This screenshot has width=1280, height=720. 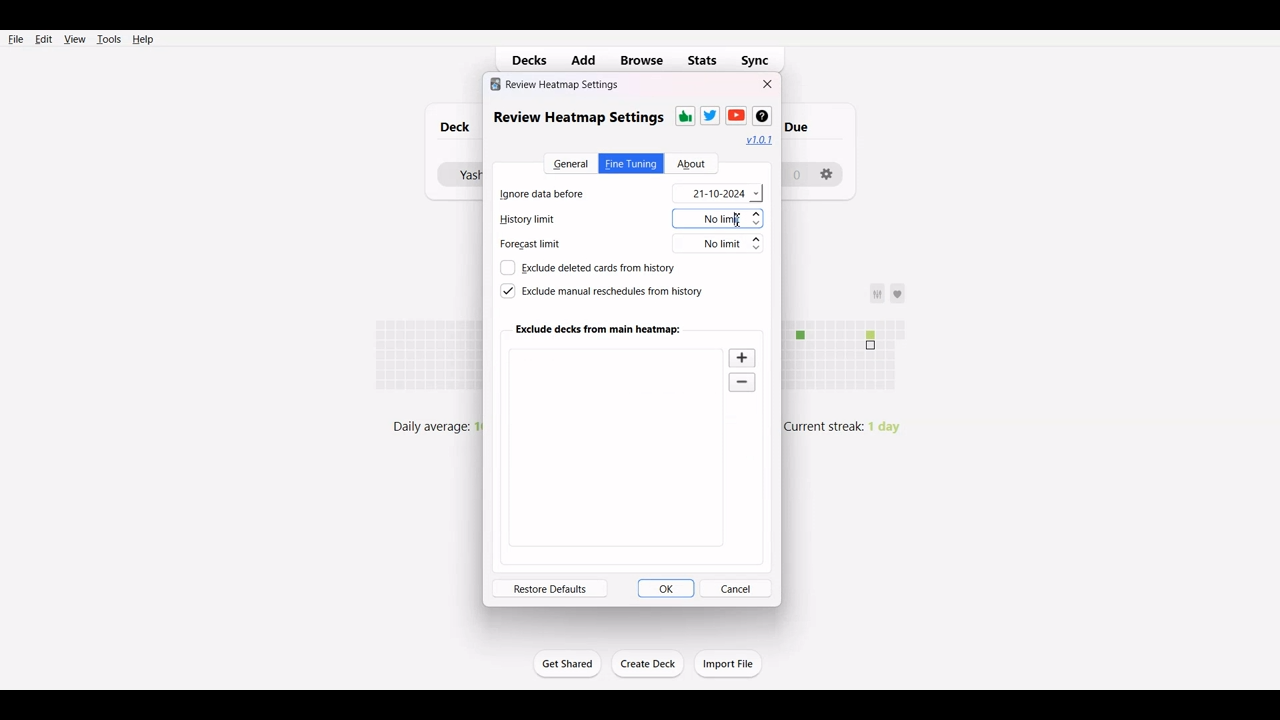 What do you see at coordinates (142, 39) in the screenshot?
I see `Help` at bounding box center [142, 39].